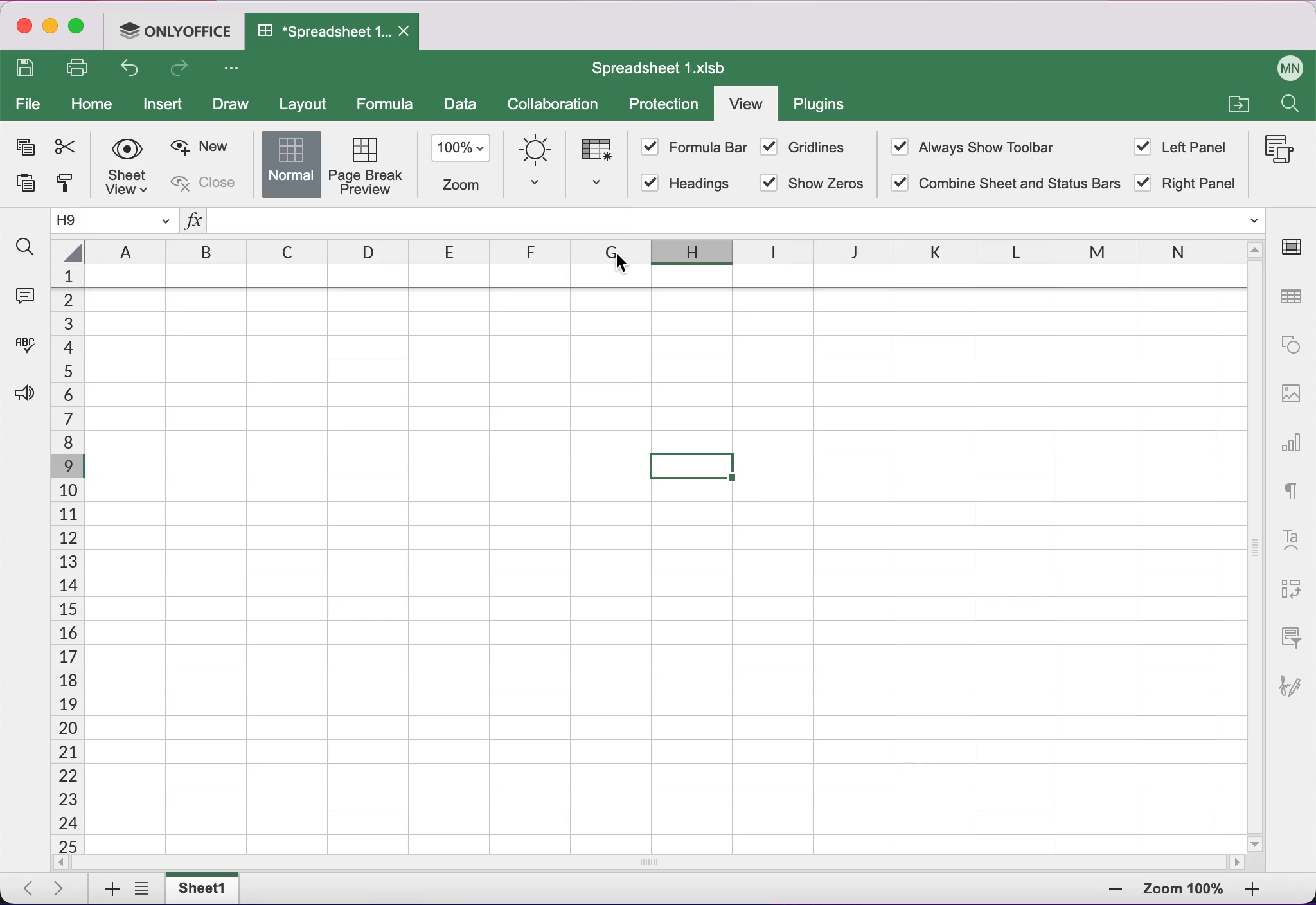 The width and height of the screenshot is (1316, 905). What do you see at coordinates (117, 220) in the screenshot?
I see `current cell` at bounding box center [117, 220].